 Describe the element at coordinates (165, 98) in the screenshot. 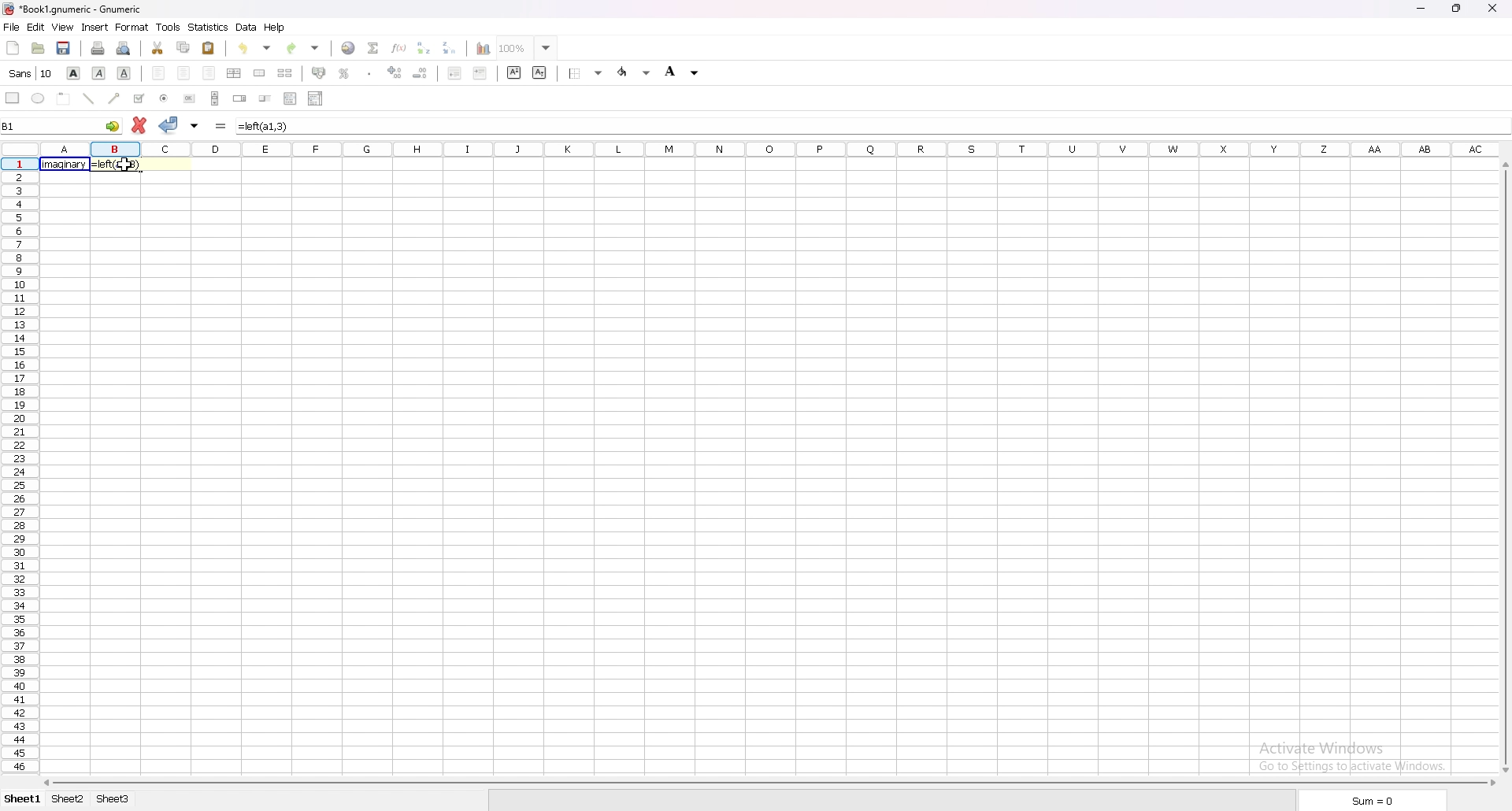

I see `radio button` at that location.